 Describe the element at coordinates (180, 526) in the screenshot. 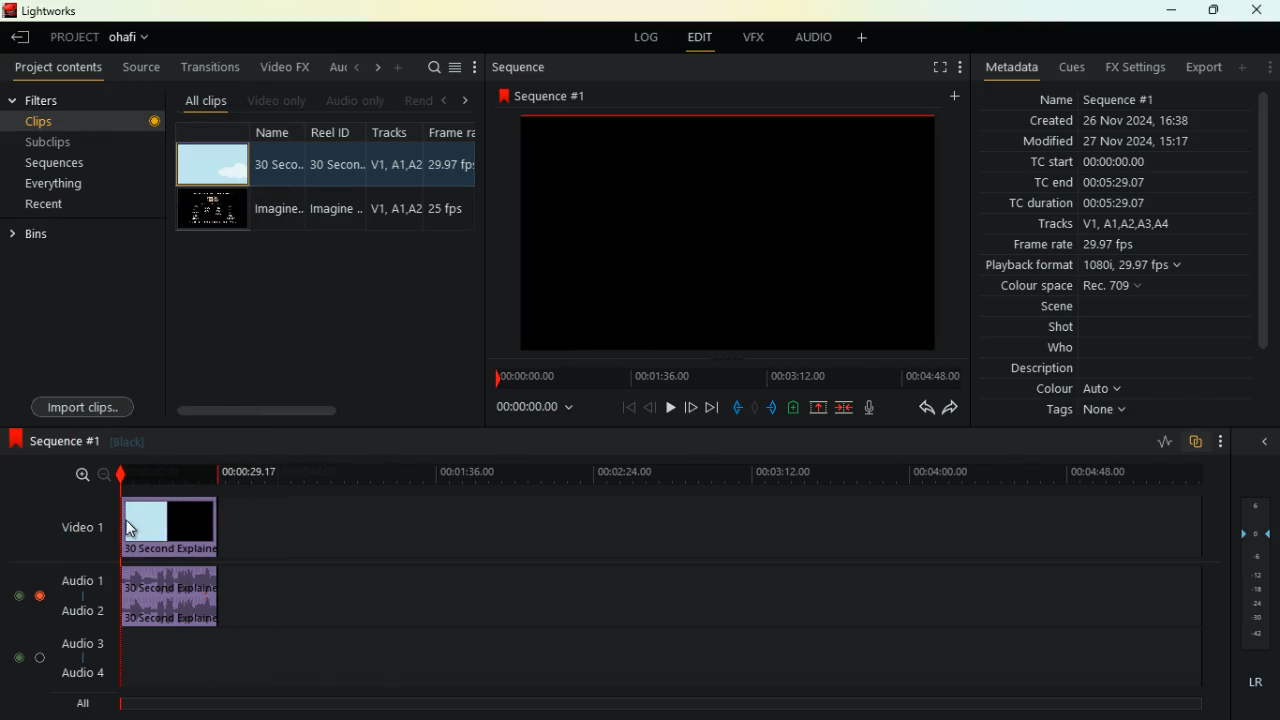

I see `video` at that location.